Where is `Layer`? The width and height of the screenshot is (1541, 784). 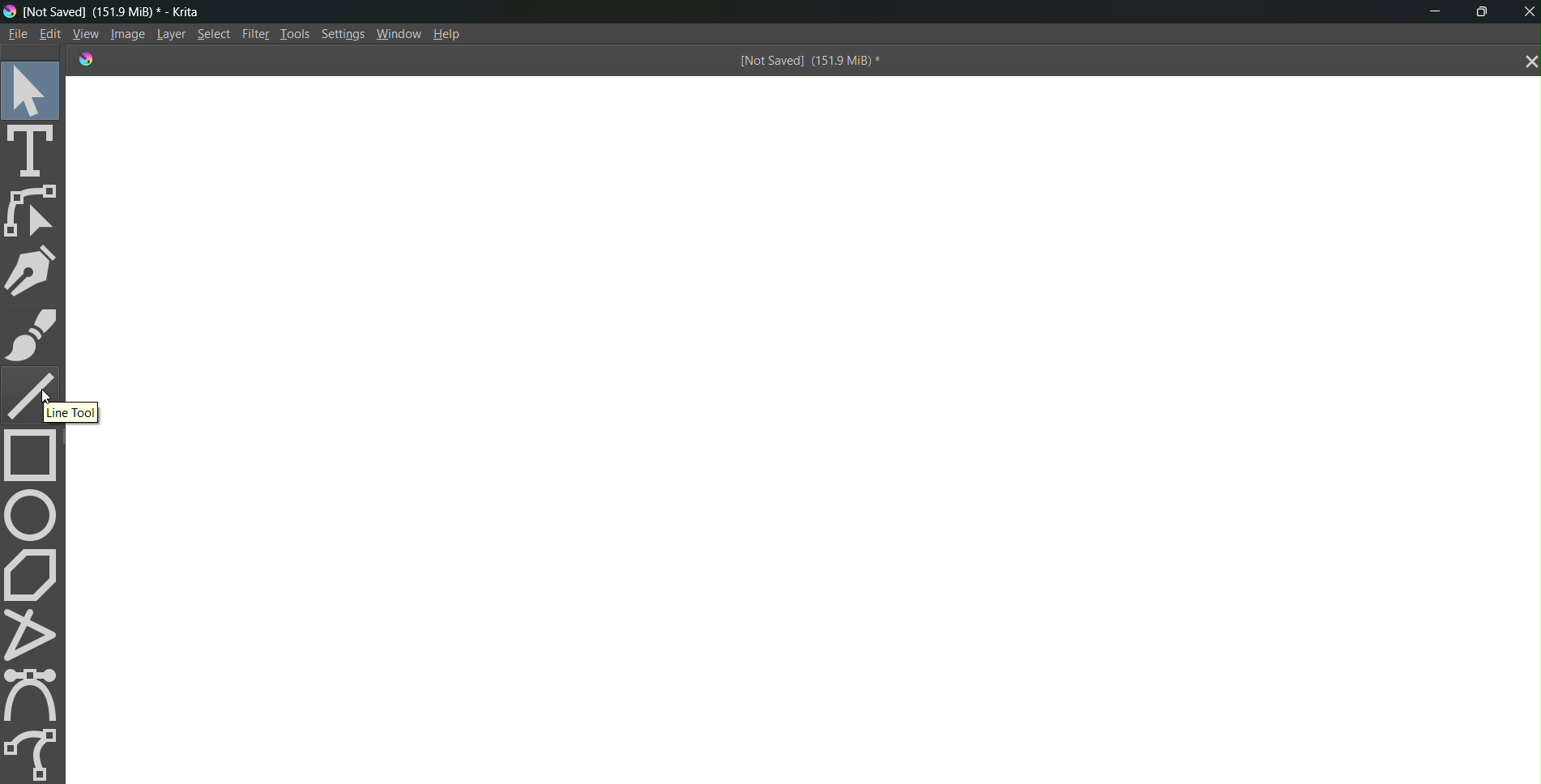
Layer is located at coordinates (168, 35).